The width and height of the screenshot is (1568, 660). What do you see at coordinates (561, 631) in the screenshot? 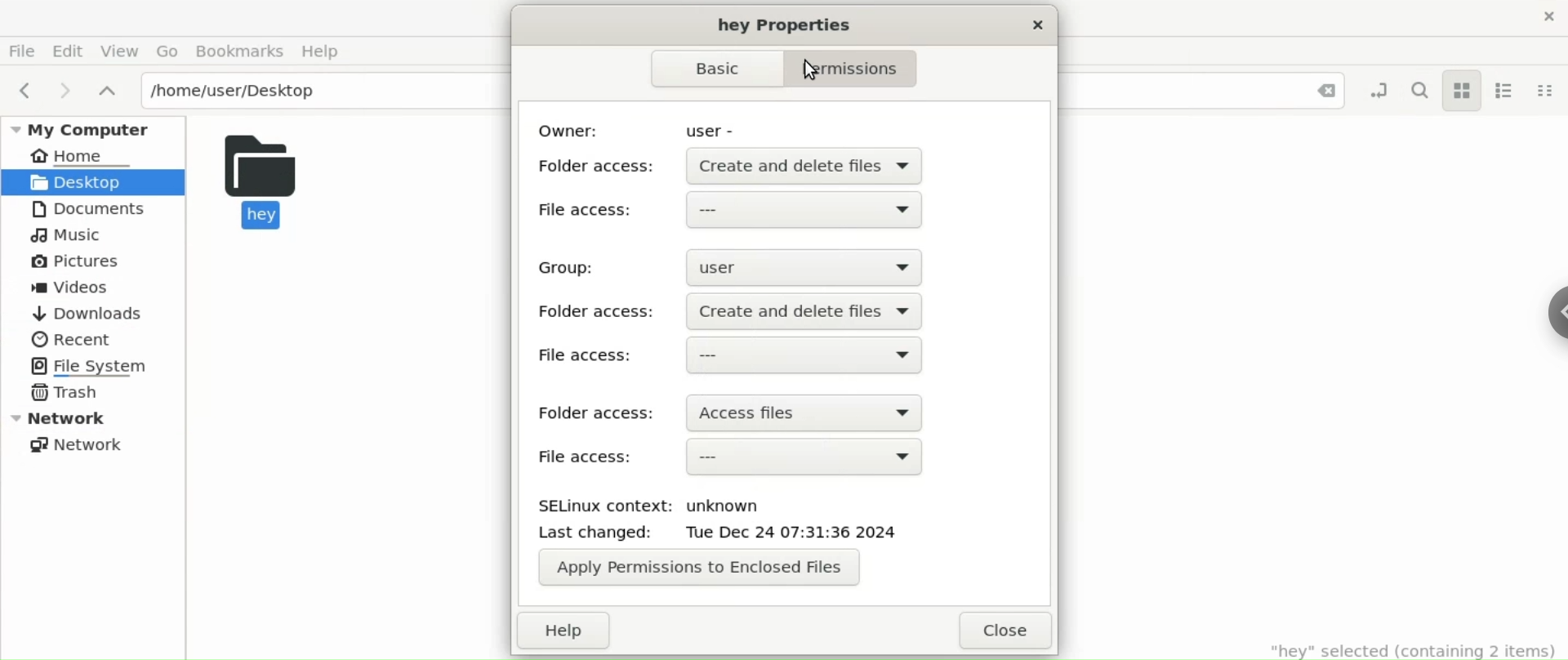
I see `help` at bounding box center [561, 631].